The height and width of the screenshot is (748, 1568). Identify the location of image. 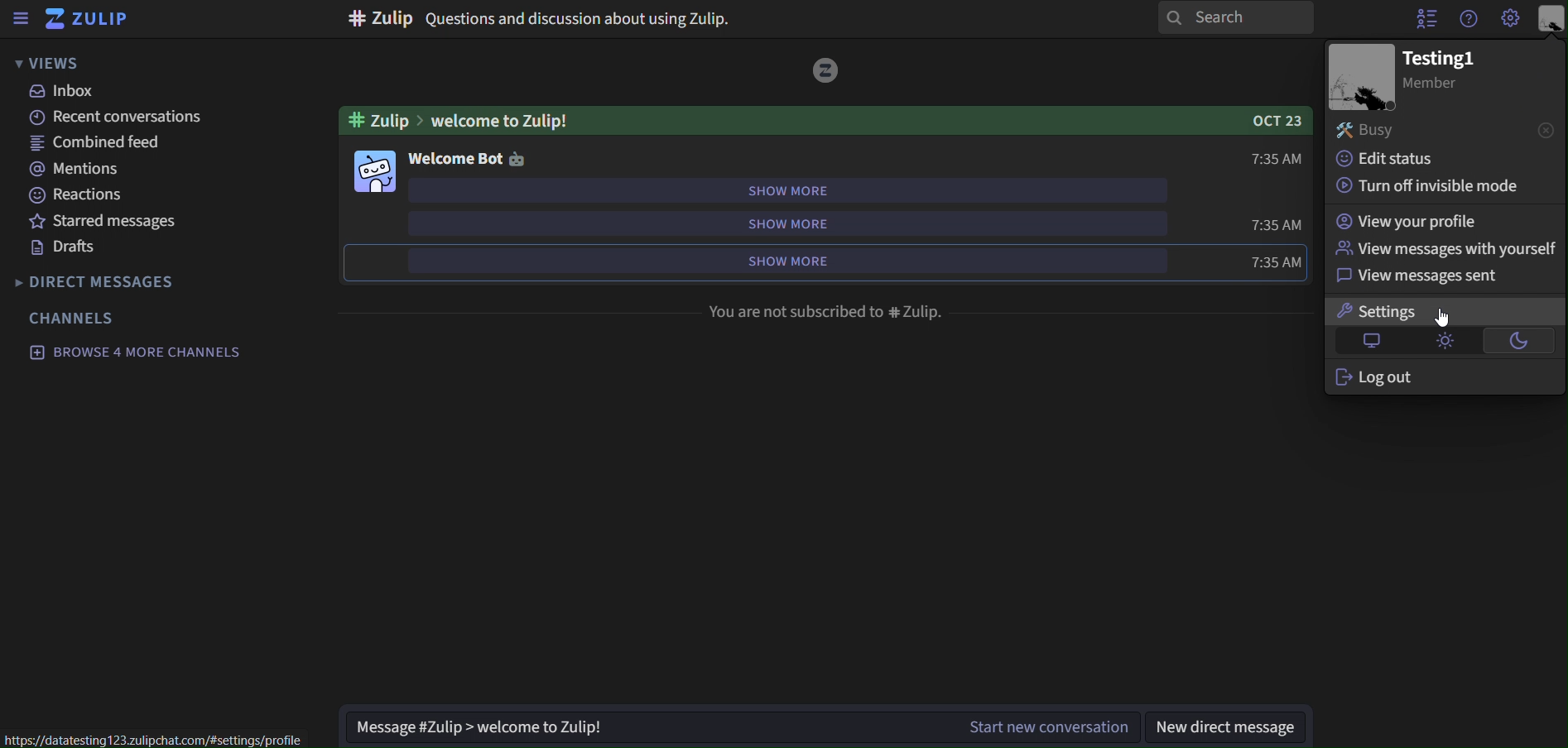
(378, 170).